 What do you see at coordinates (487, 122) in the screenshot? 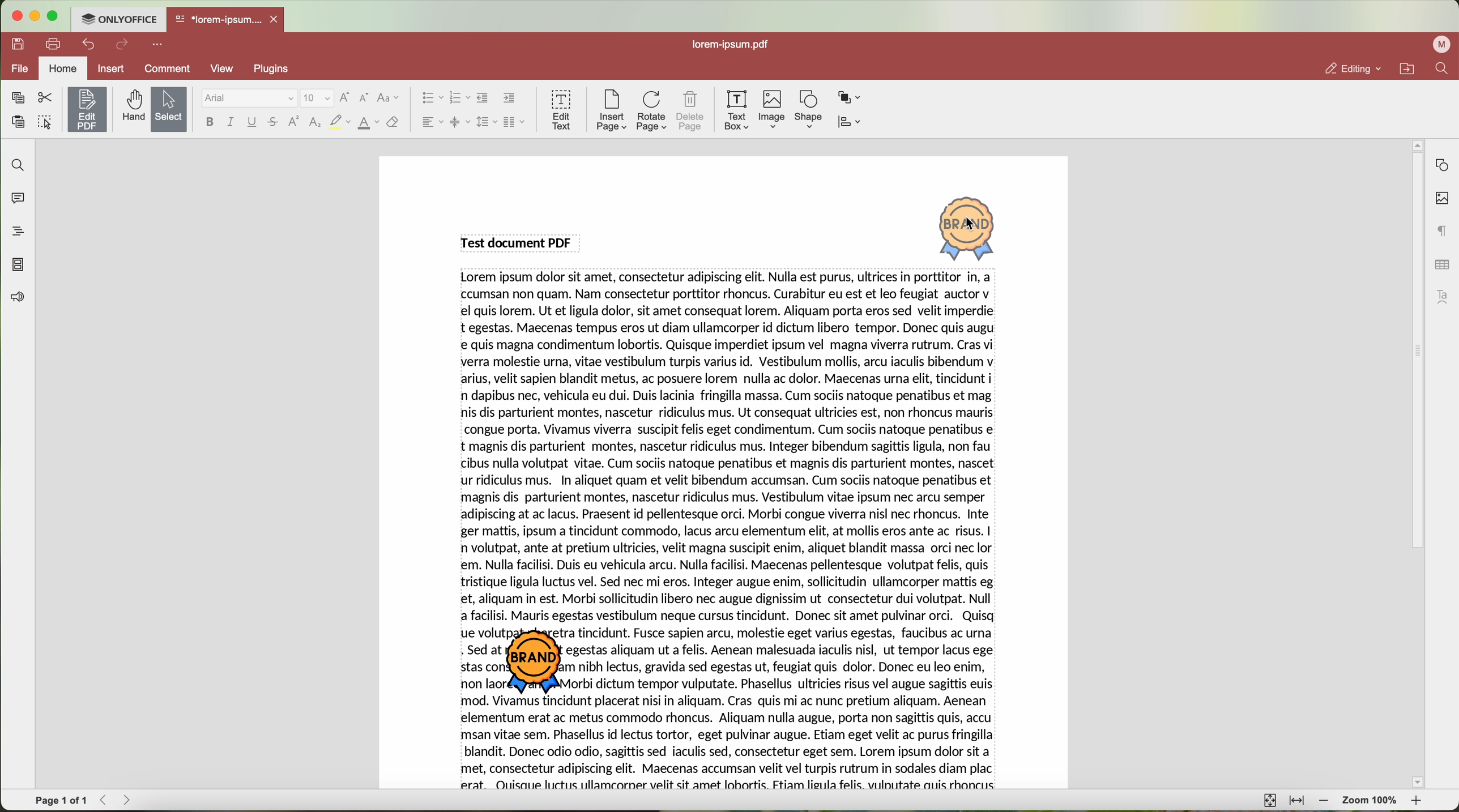
I see `line spacing` at bounding box center [487, 122].